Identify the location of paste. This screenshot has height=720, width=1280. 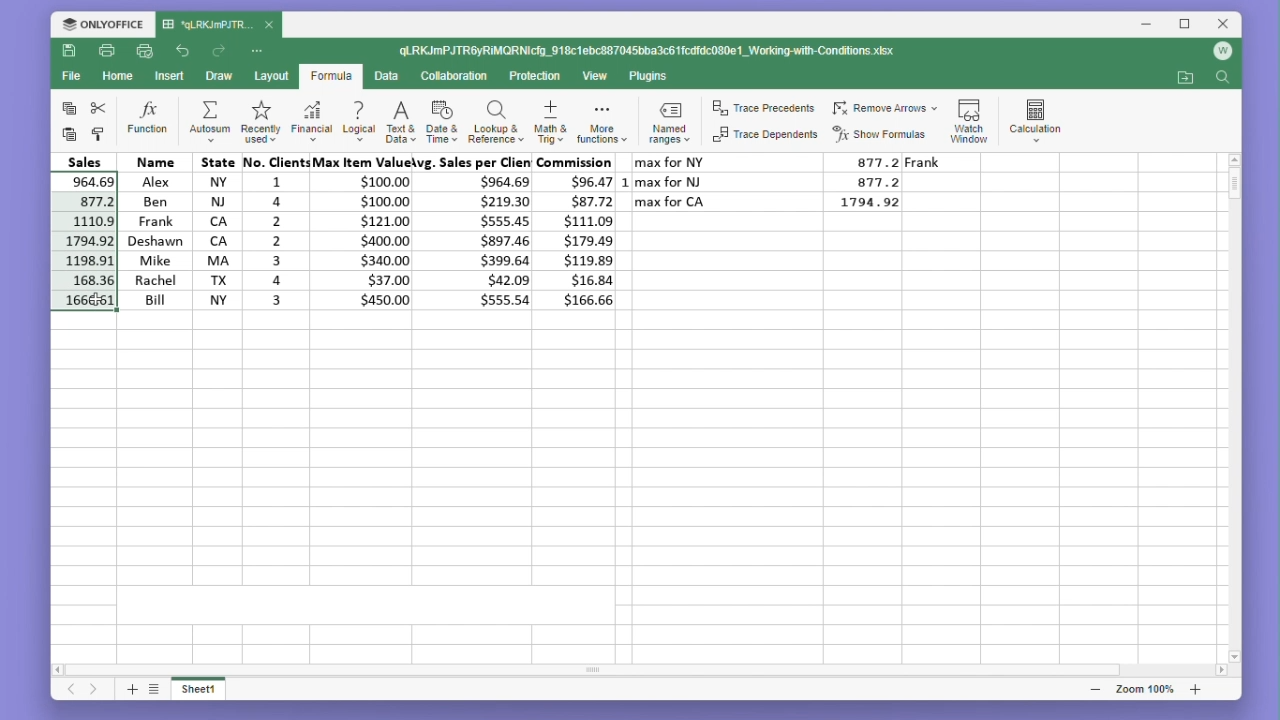
(70, 135).